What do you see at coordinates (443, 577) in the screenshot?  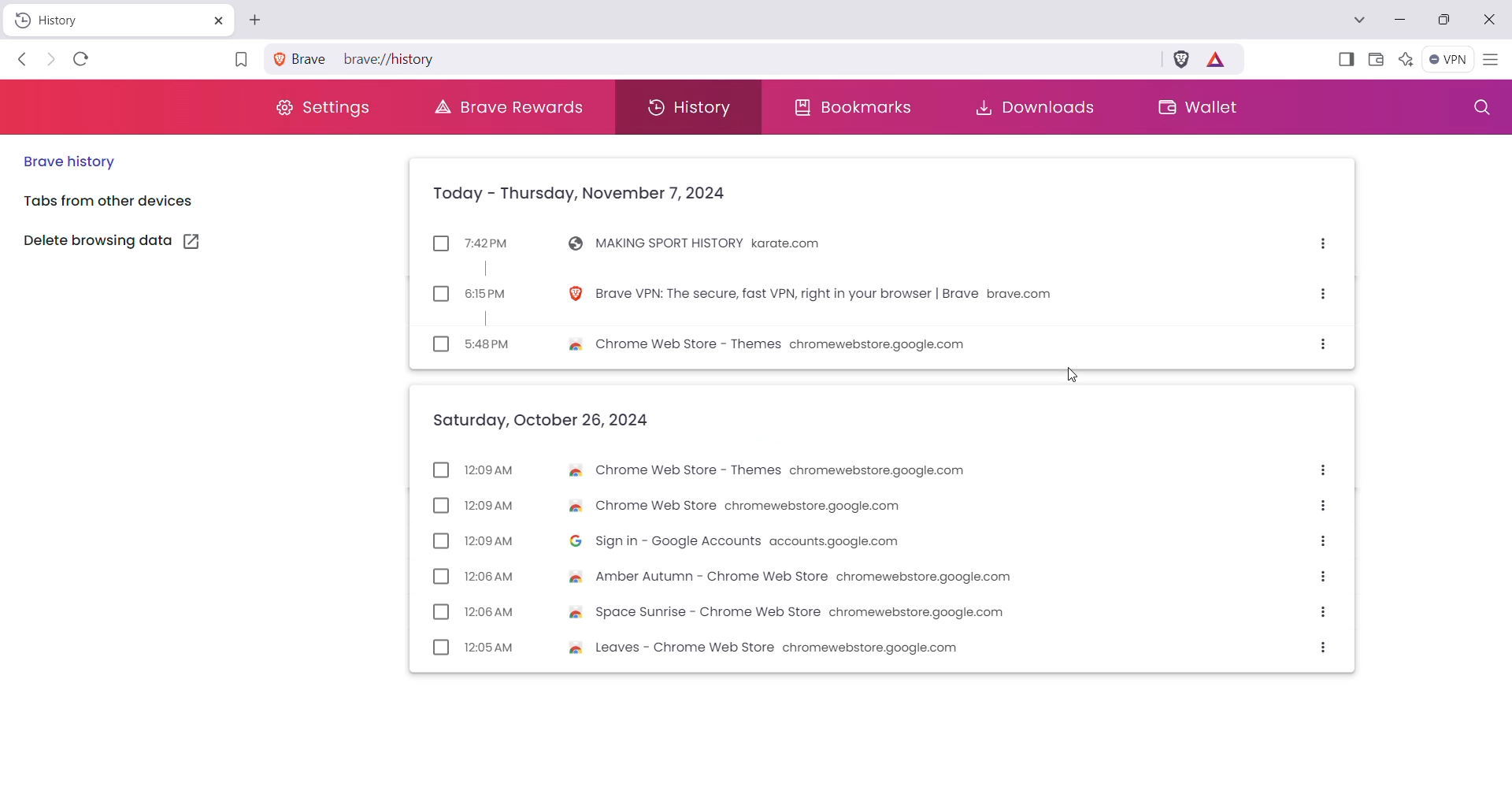 I see `checkbox` at bounding box center [443, 577].